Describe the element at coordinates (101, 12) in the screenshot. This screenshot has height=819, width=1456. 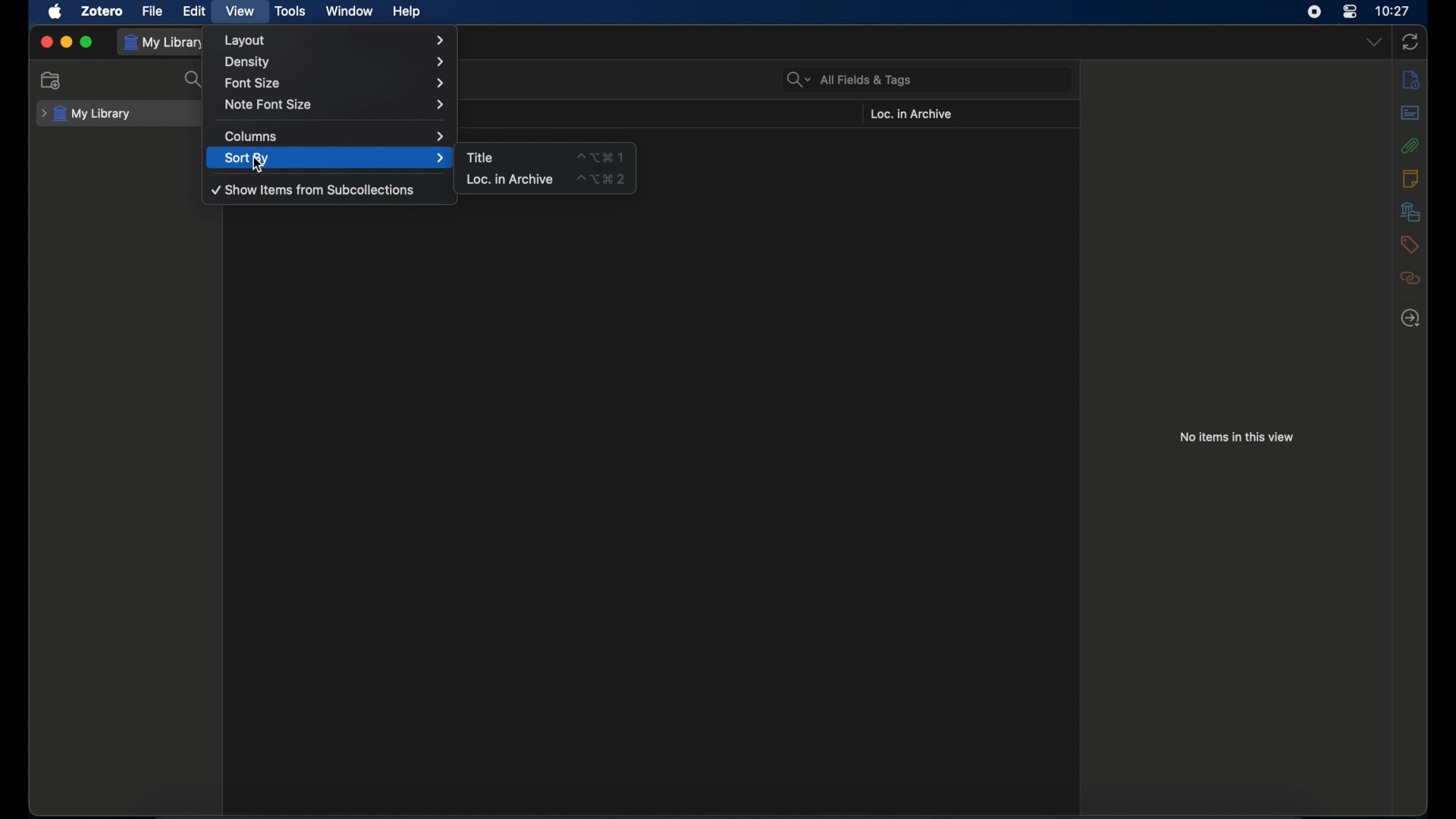
I see `zotero` at that location.